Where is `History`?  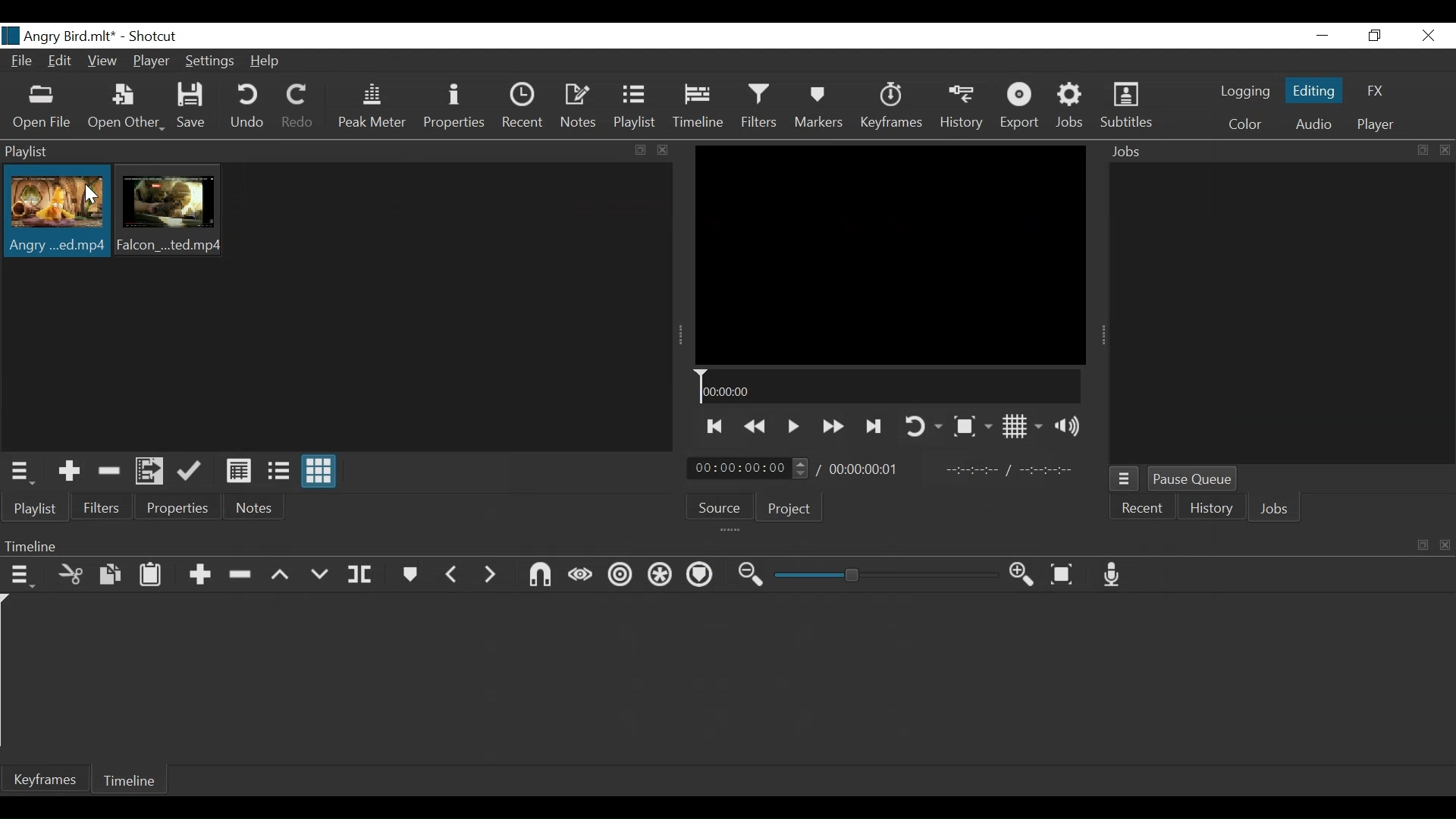
History is located at coordinates (962, 109).